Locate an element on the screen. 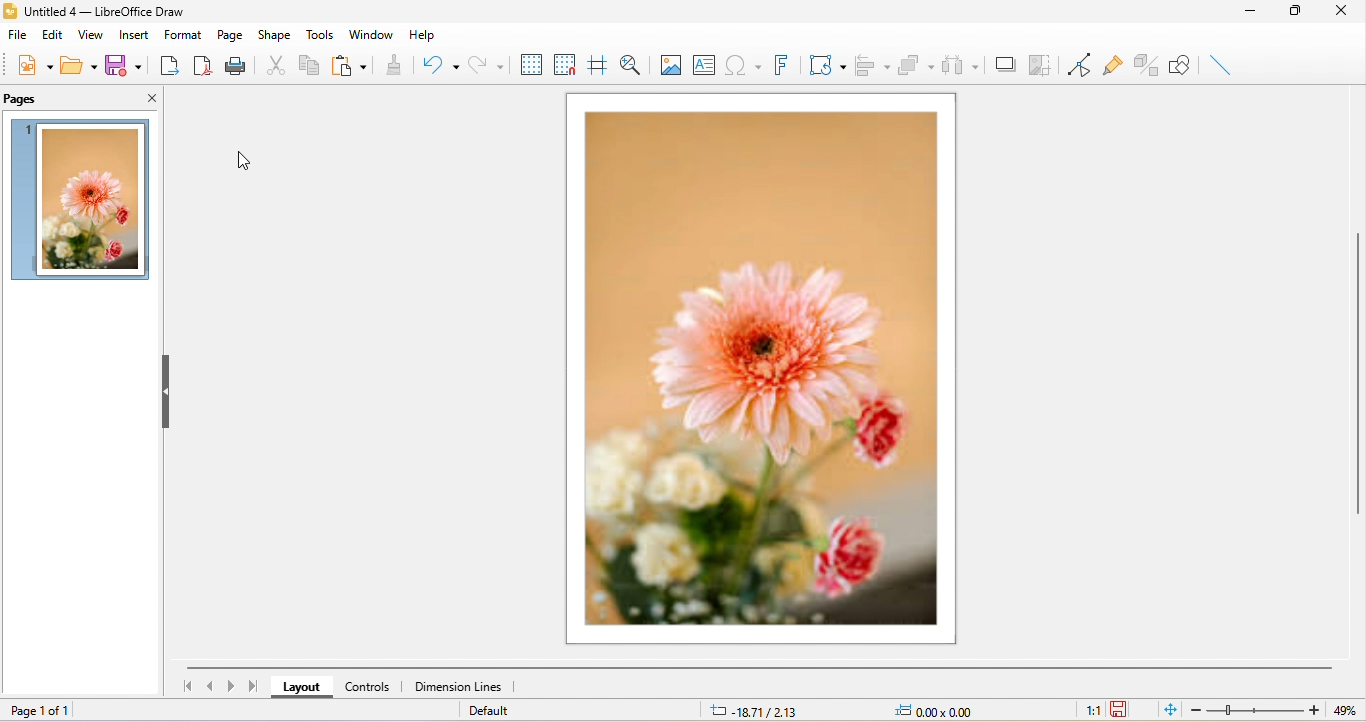 The image size is (1366, 722). toggle extrusion is located at coordinates (1146, 64).